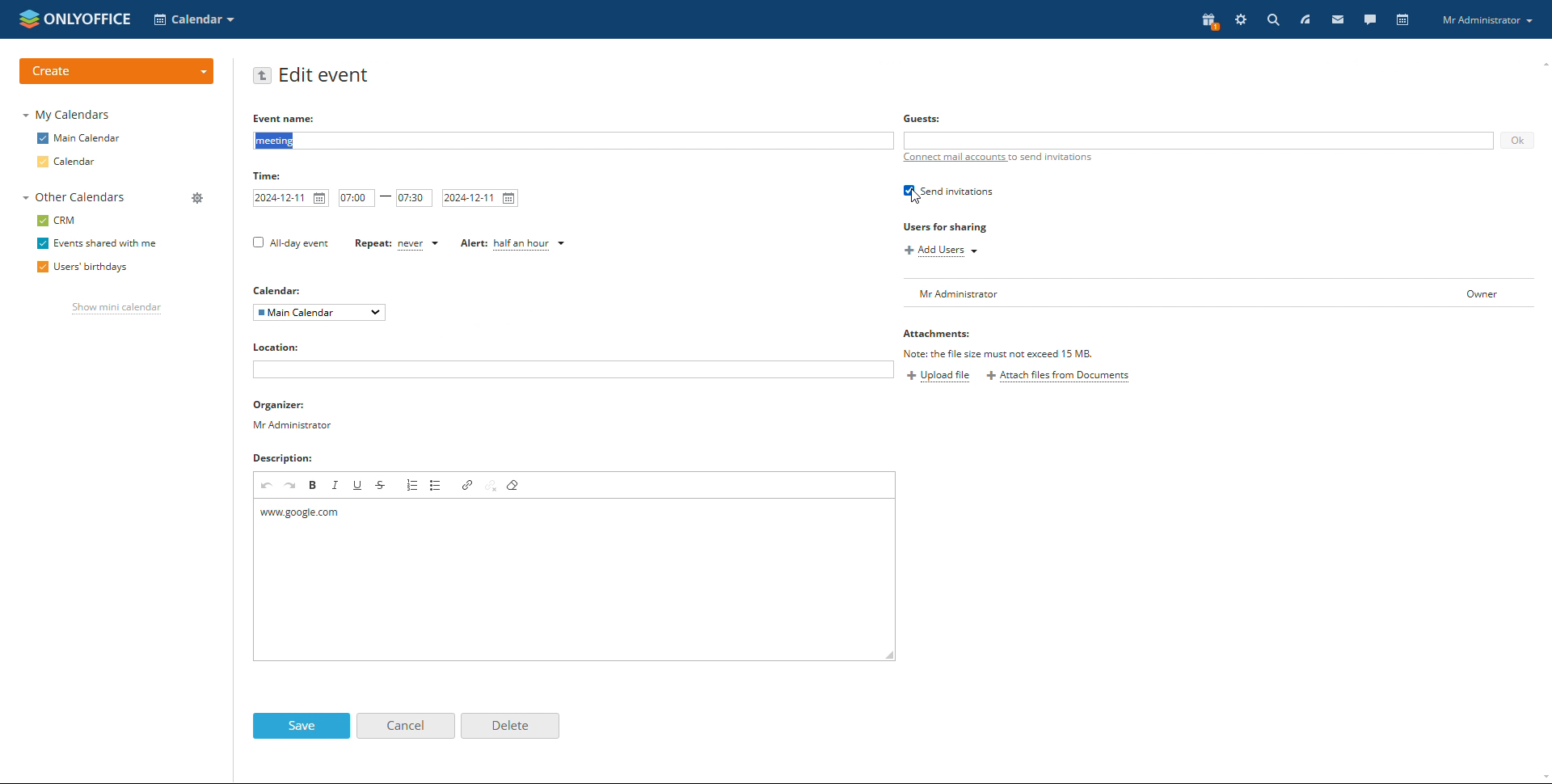  What do you see at coordinates (291, 198) in the screenshot?
I see `start time` at bounding box center [291, 198].